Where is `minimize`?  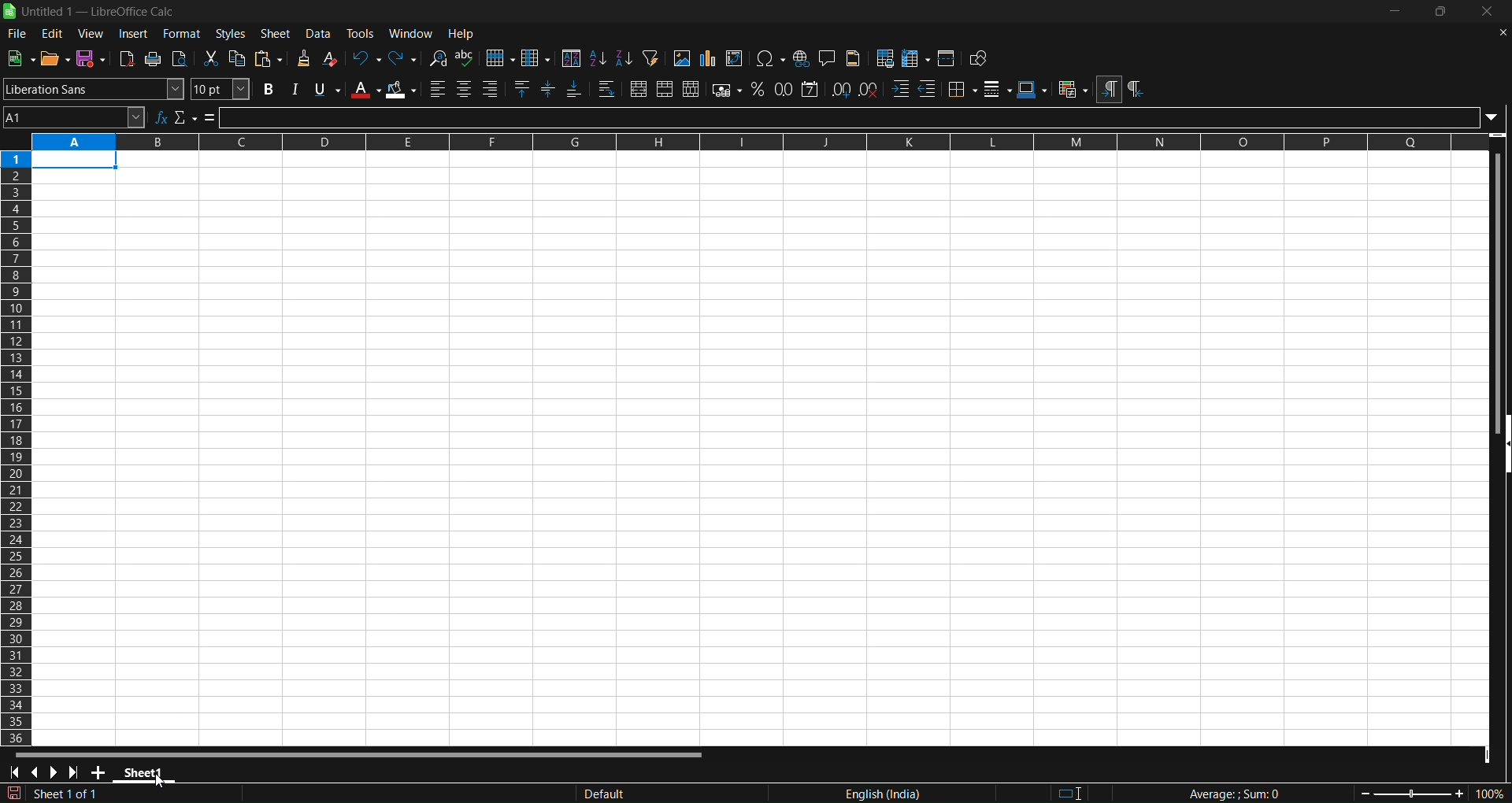
minimize is located at coordinates (1395, 11).